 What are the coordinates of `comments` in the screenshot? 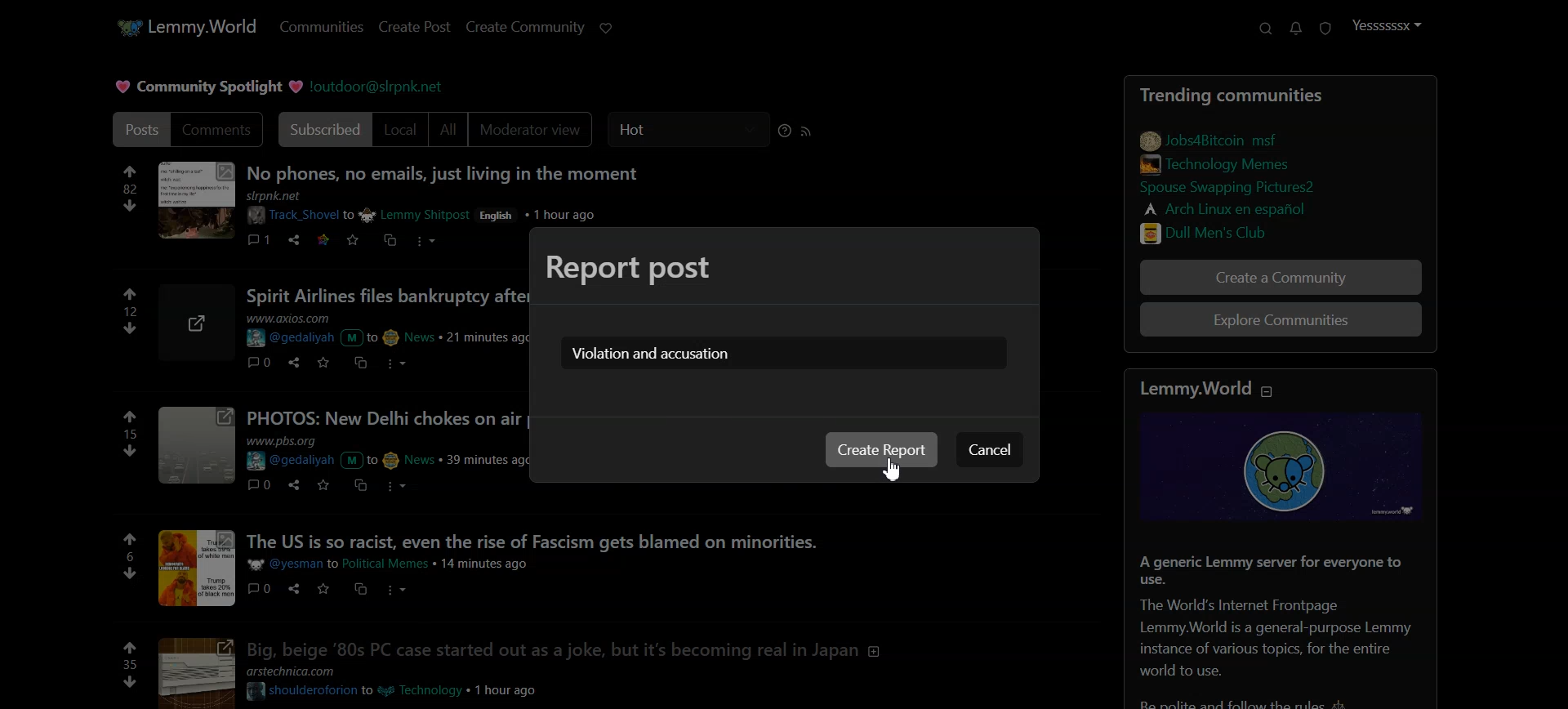 It's located at (259, 238).